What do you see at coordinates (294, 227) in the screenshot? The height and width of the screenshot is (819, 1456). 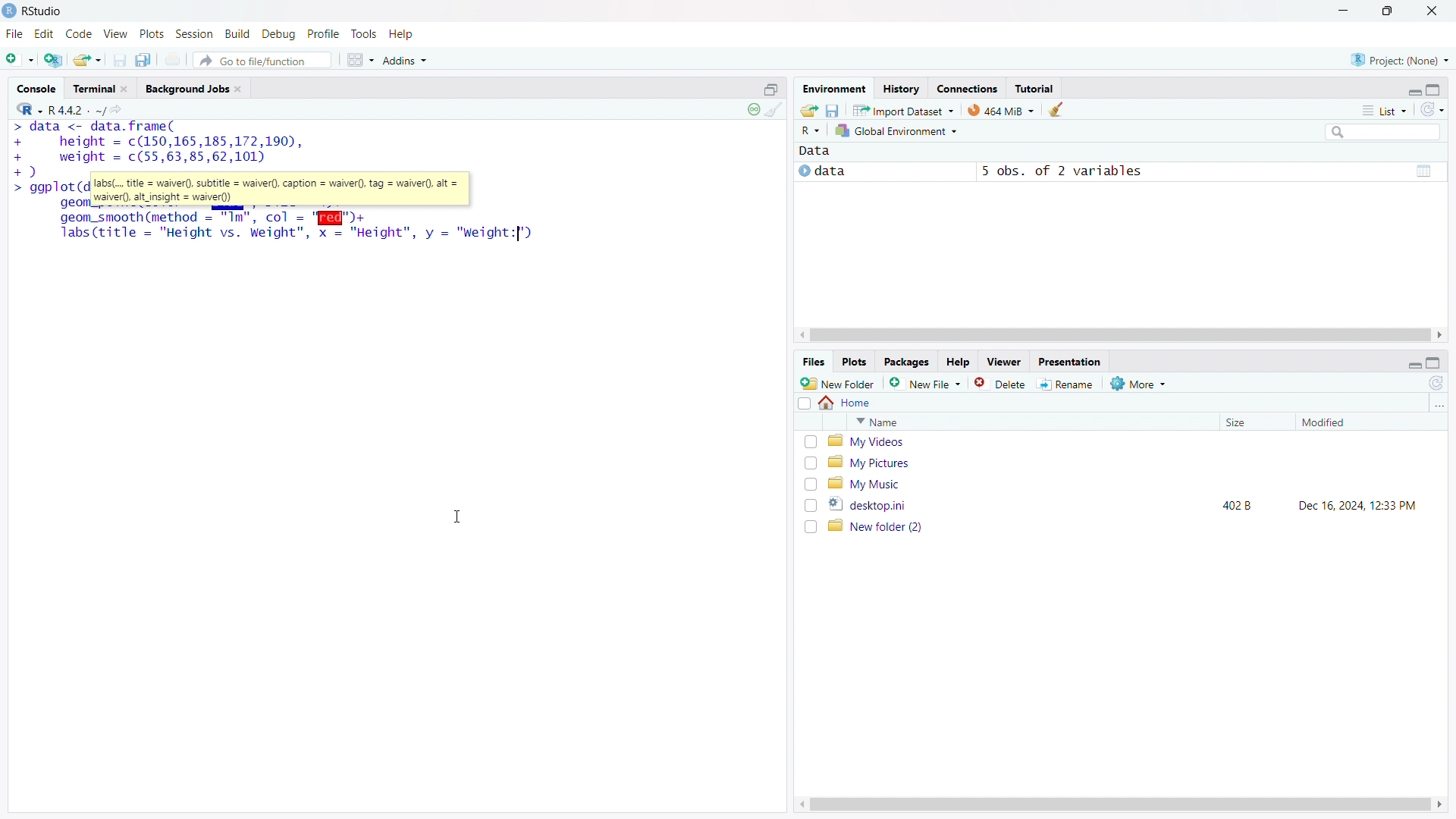 I see `geom_smooth(method = "Im", col = "[gC")+Tabs(title = "Height vs. Weight", x = "Height", y = "weight:")` at bounding box center [294, 227].